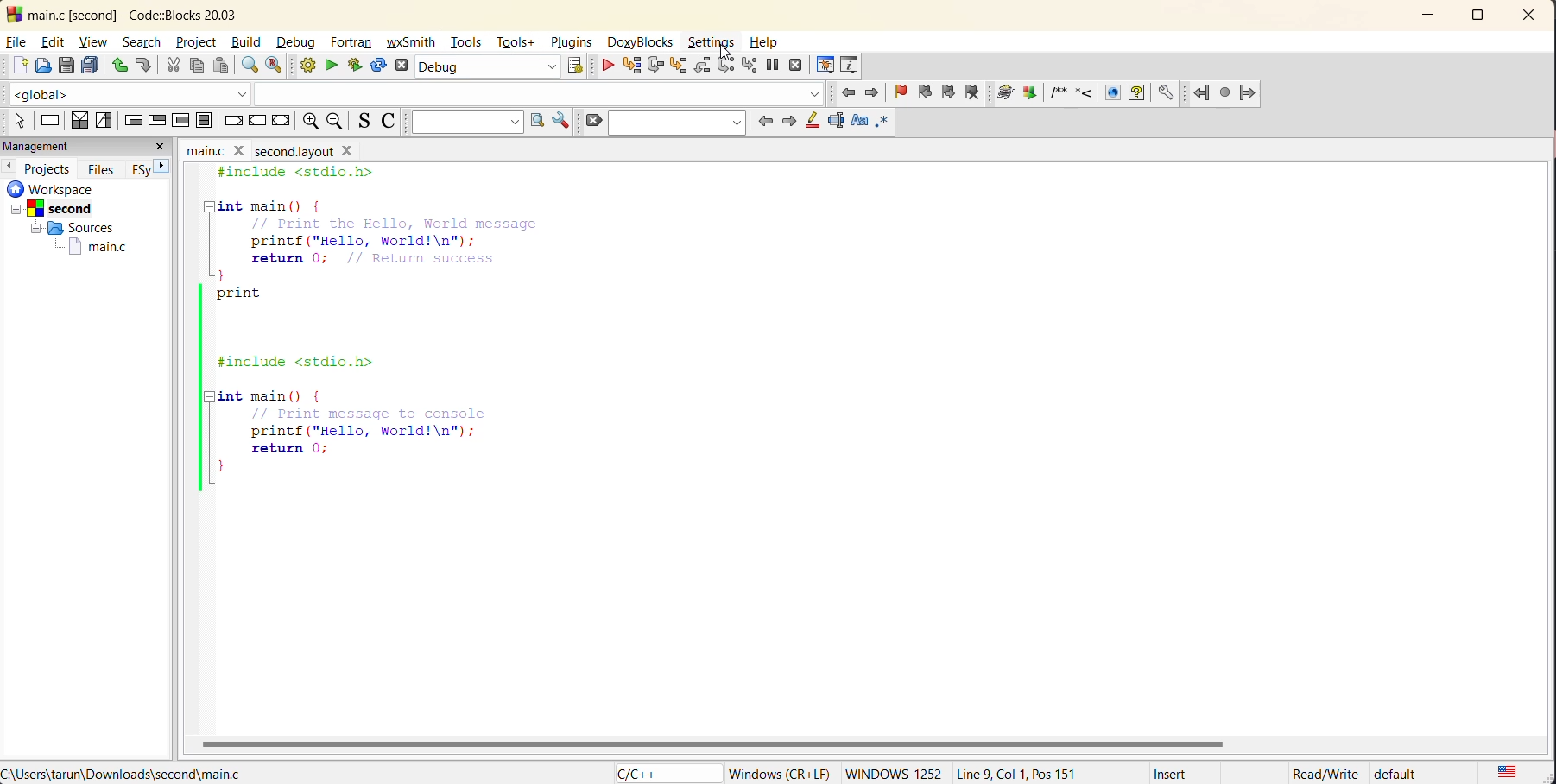  What do you see at coordinates (16, 122) in the screenshot?
I see `select` at bounding box center [16, 122].